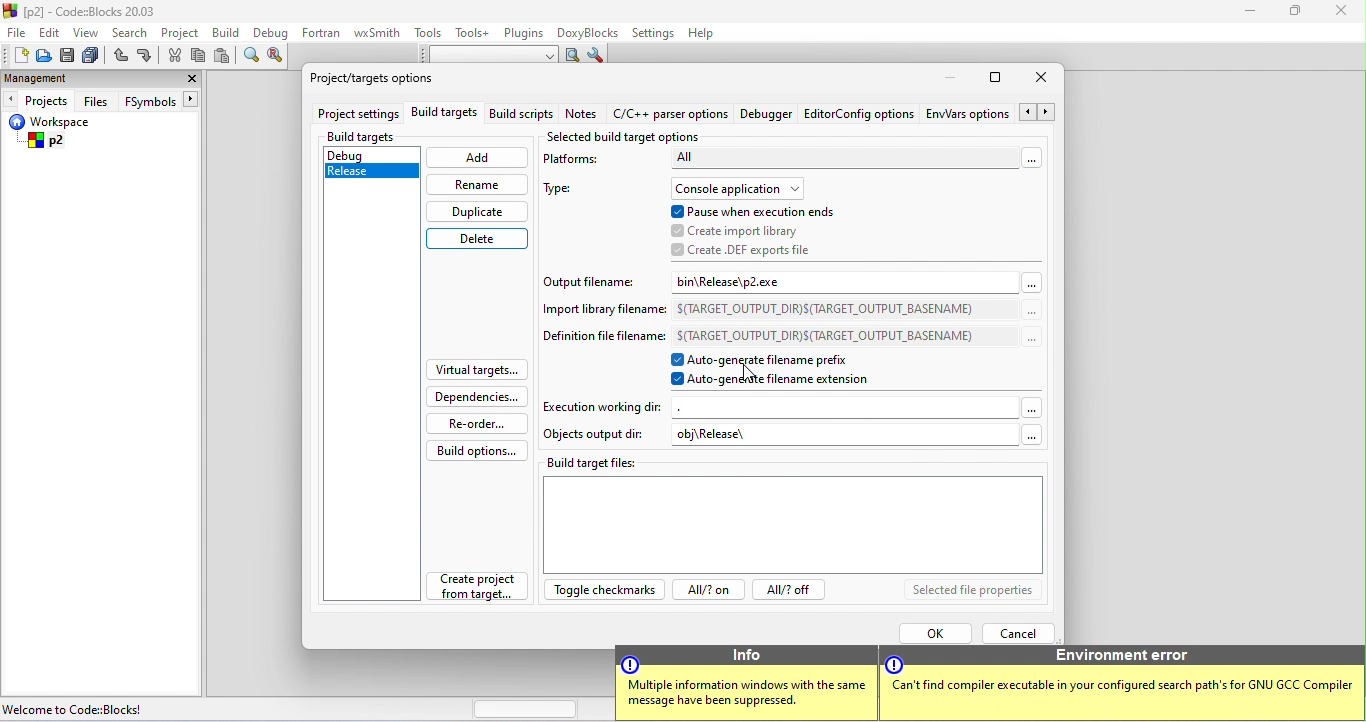 The height and width of the screenshot is (722, 1366). I want to click on fortran, so click(324, 36).